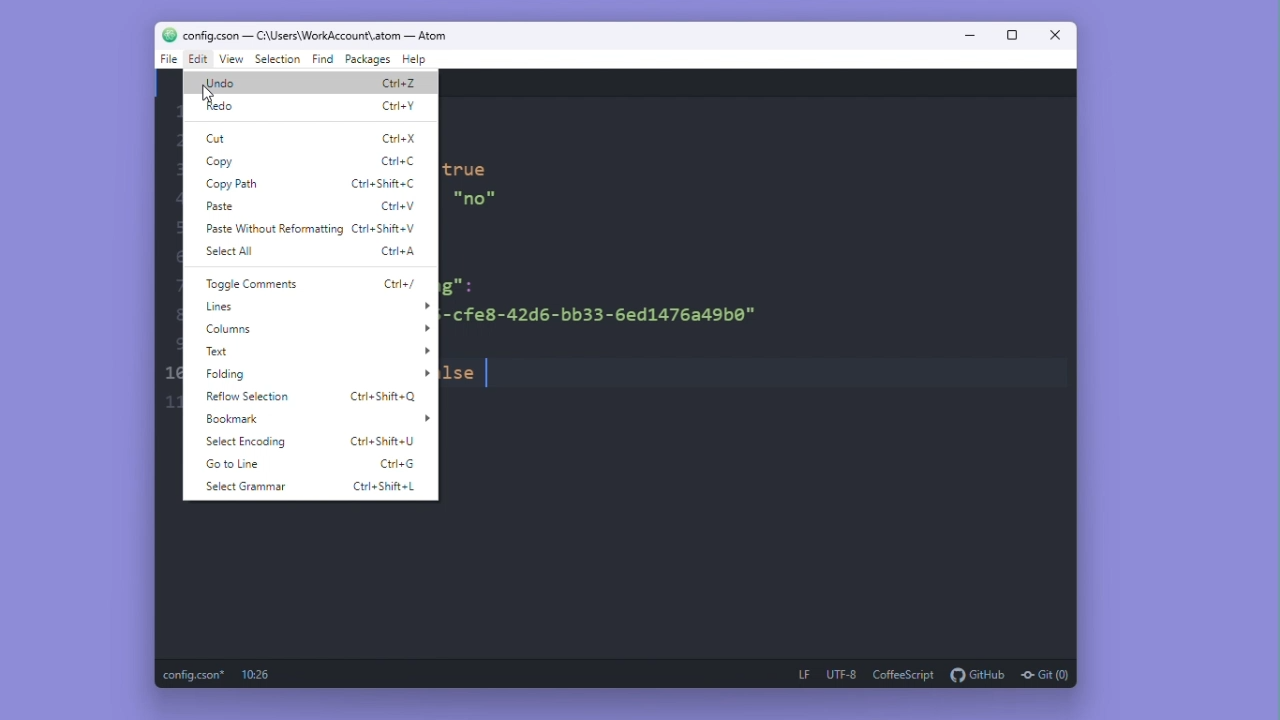 This screenshot has height=720, width=1280. What do you see at coordinates (221, 83) in the screenshot?
I see `undo` at bounding box center [221, 83].